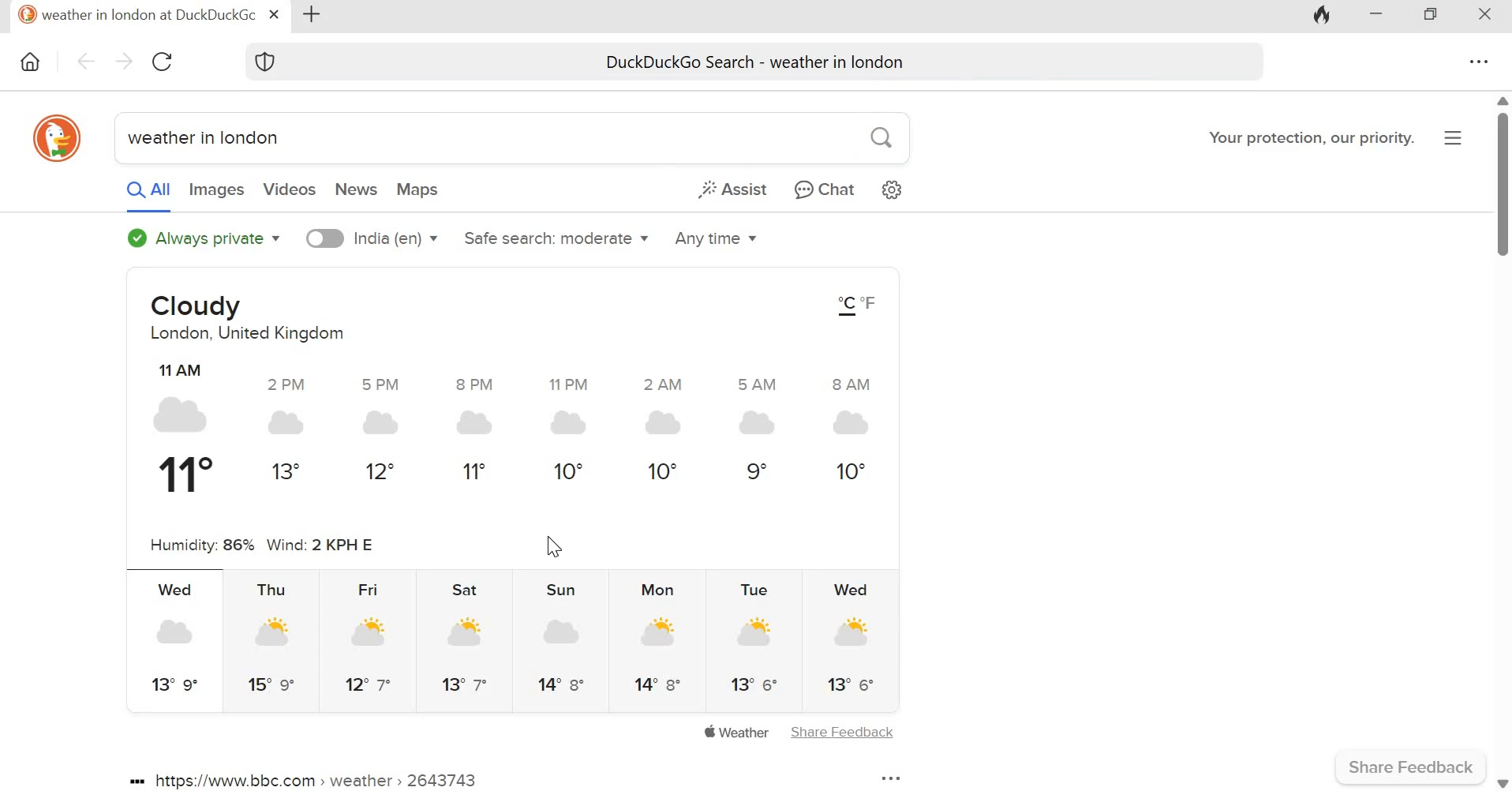 This screenshot has width=1512, height=791. Describe the element at coordinates (286, 384) in the screenshot. I see `2 PM` at that location.